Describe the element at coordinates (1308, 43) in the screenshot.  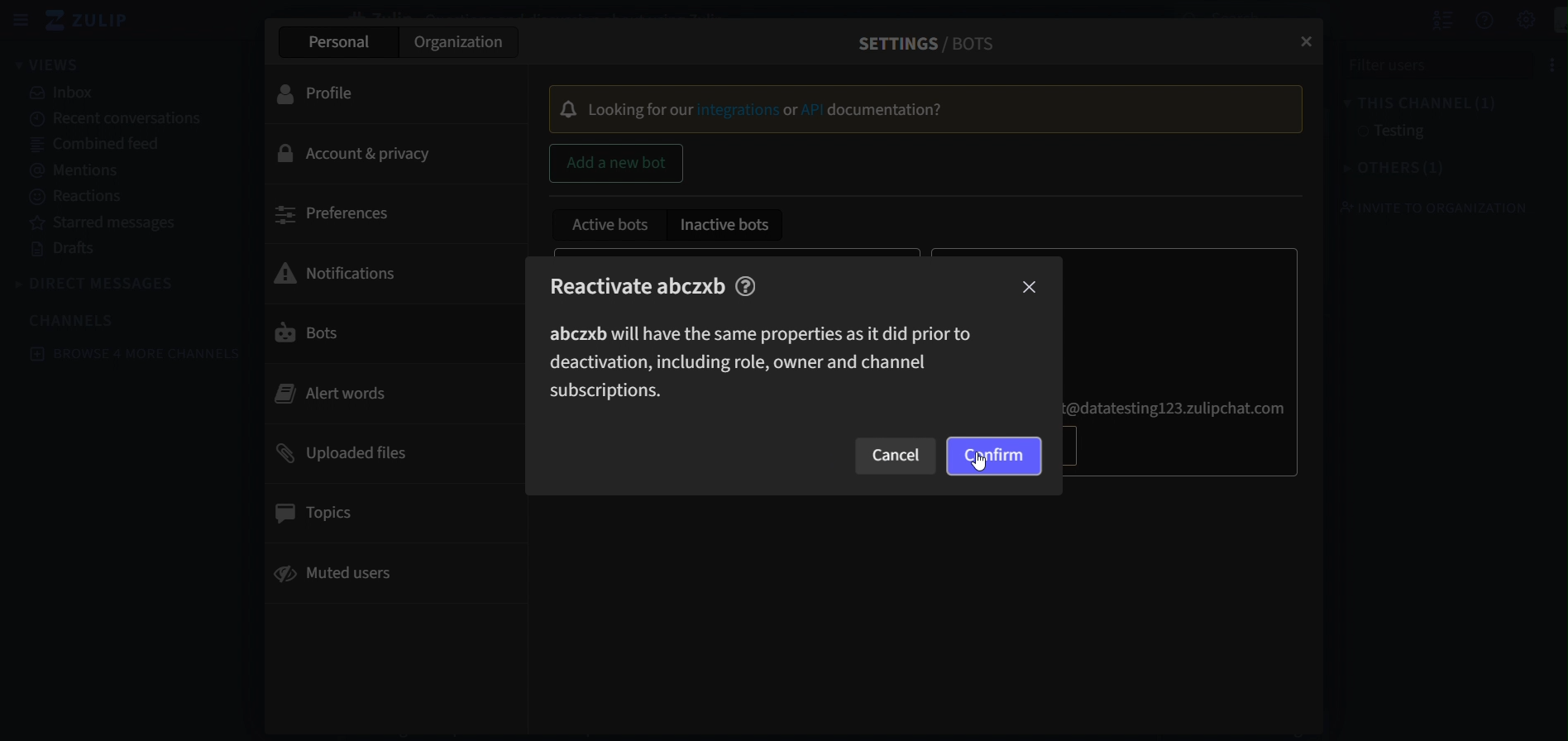
I see `close` at that location.